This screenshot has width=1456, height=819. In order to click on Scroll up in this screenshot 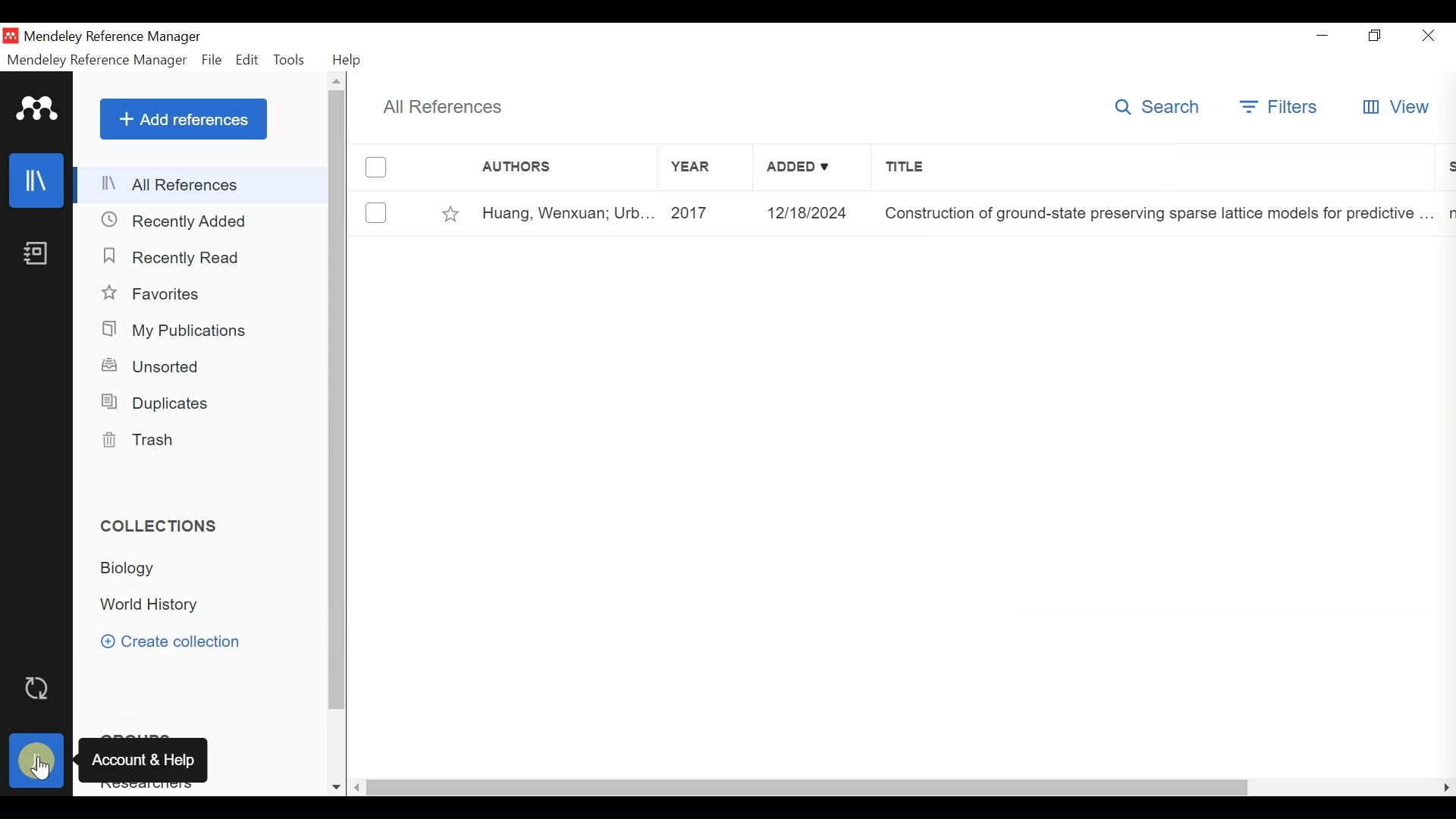, I will do `click(336, 81)`.